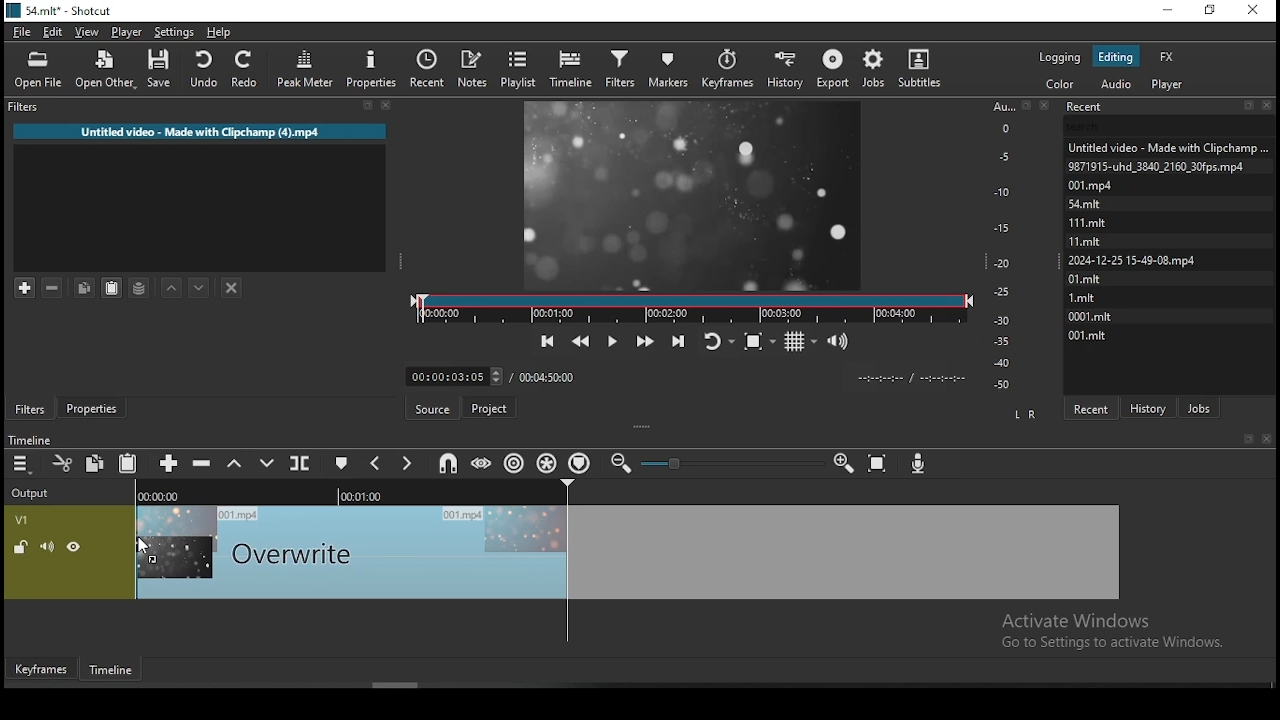 The width and height of the screenshot is (1280, 720). What do you see at coordinates (218, 32) in the screenshot?
I see `help` at bounding box center [218, 32].